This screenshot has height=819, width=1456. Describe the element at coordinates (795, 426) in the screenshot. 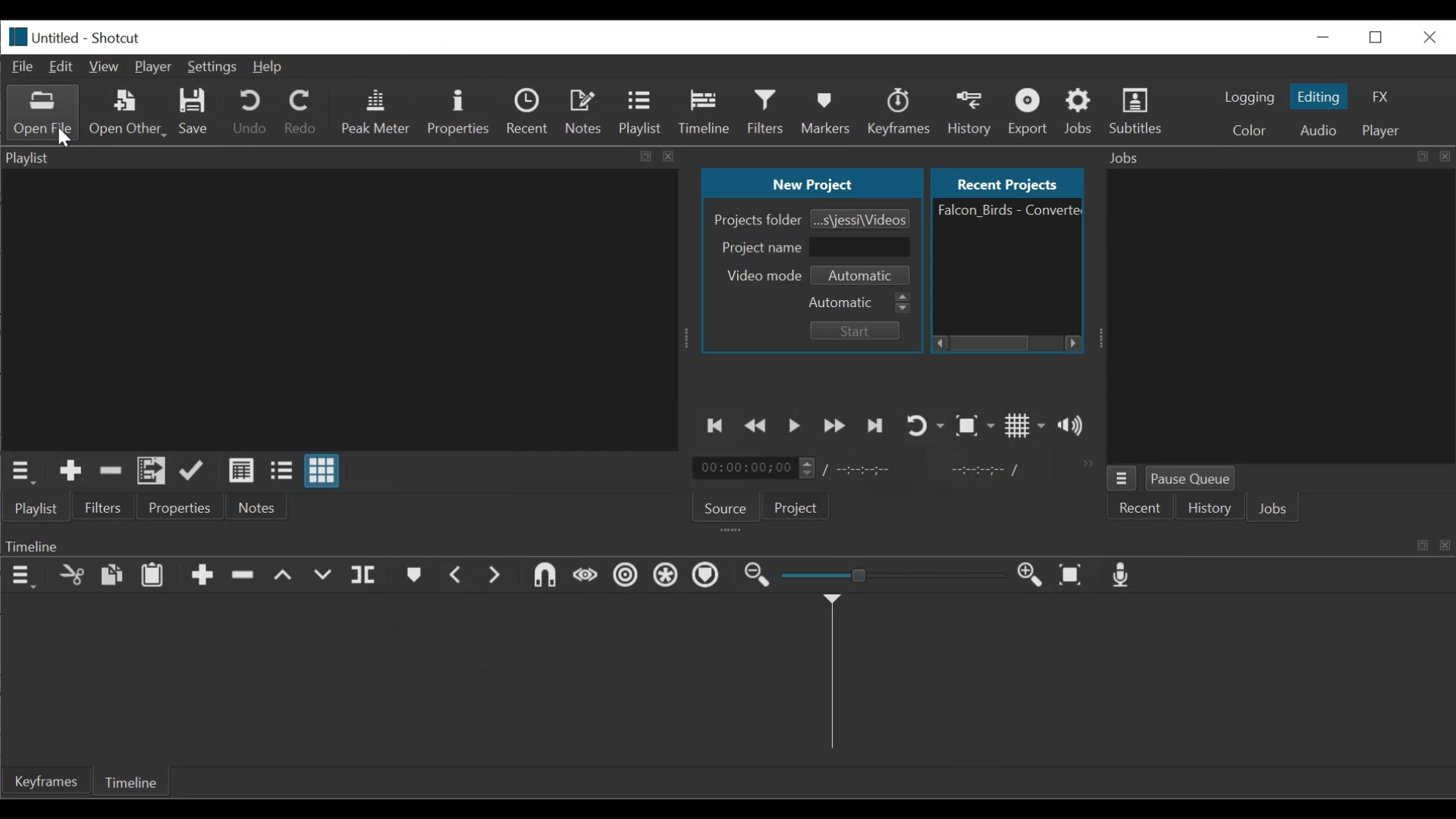

I see `Toggle play or pause (space)` at that location.